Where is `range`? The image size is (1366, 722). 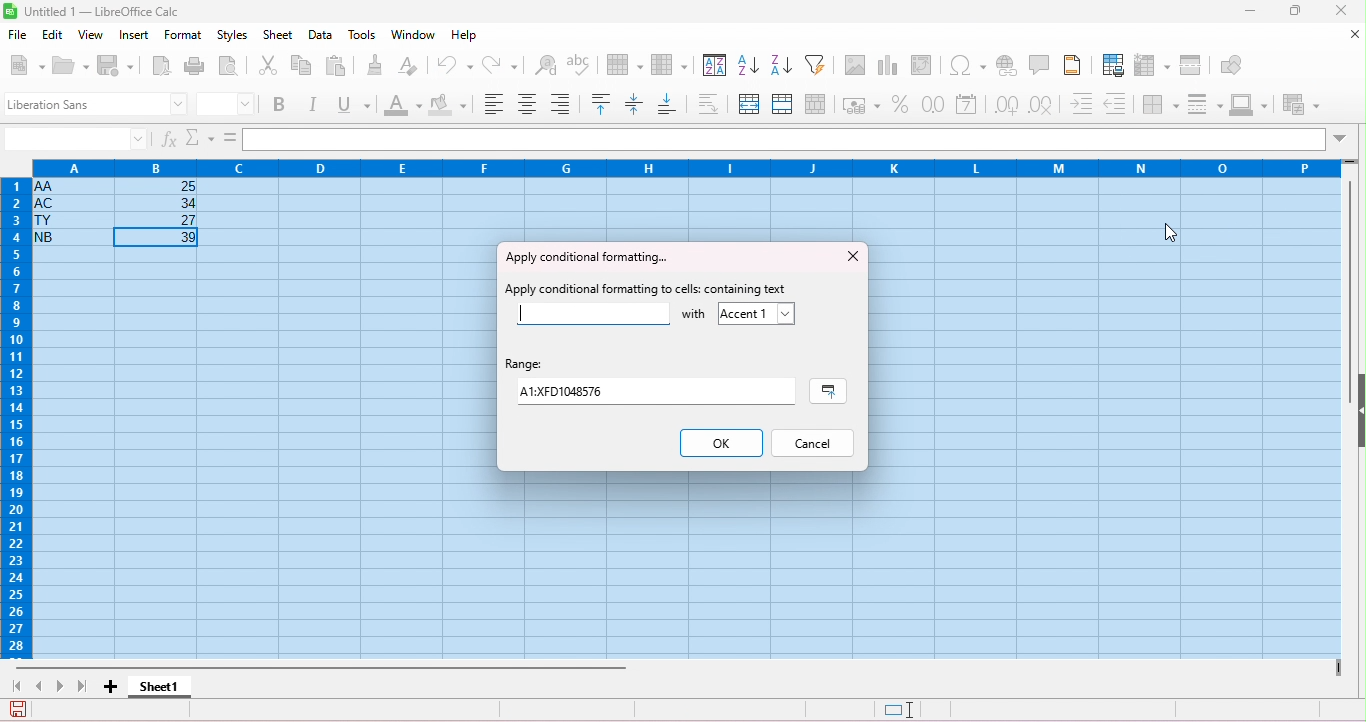 range is located at coordinates (527, 366).